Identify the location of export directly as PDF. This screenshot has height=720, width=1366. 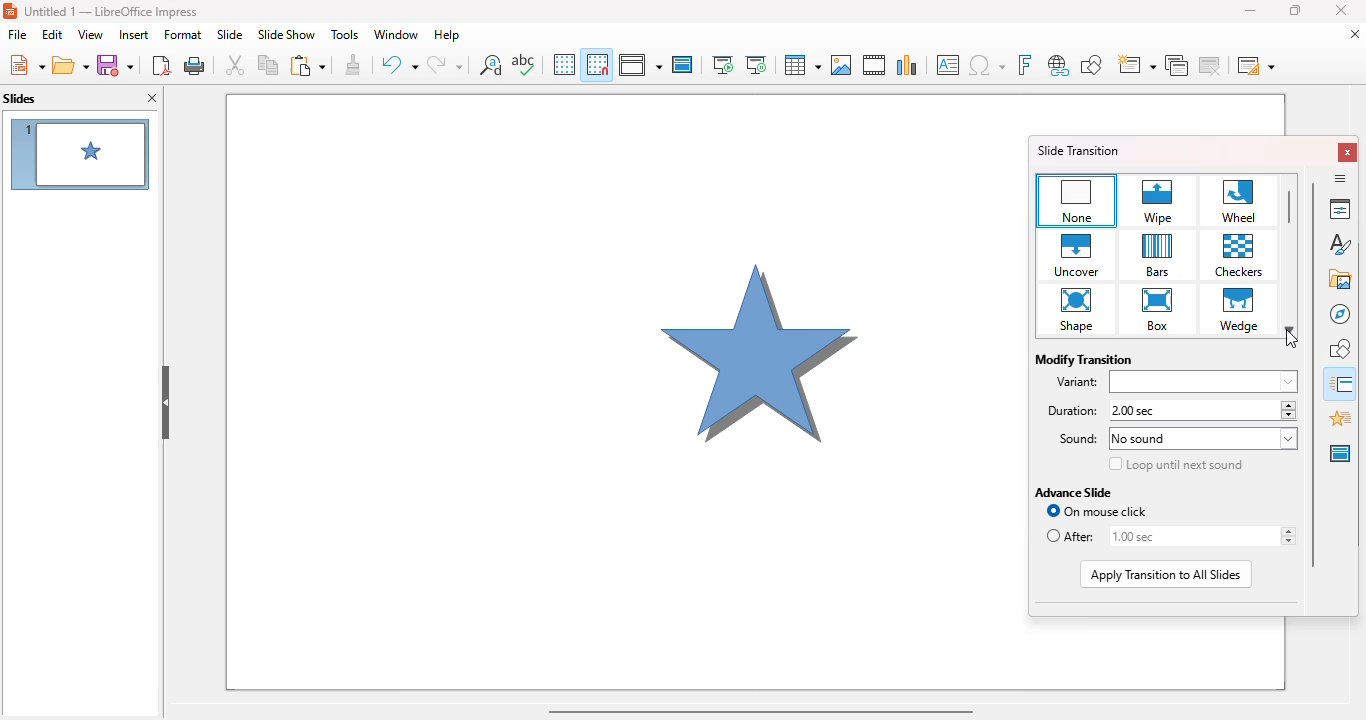
(161, 64).